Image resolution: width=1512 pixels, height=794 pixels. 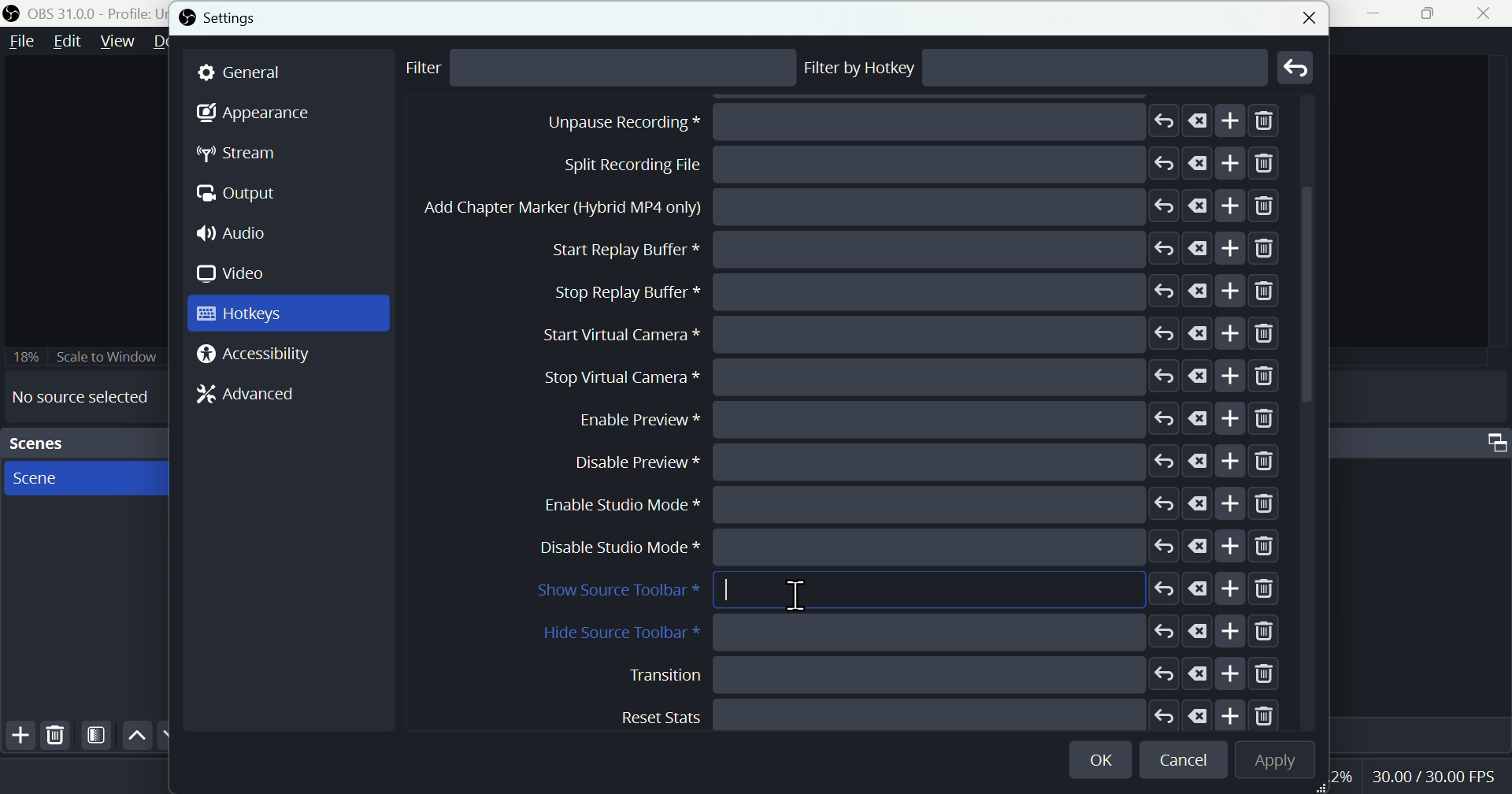 I want to click on show source toolbar, so click(x=906, y=592).